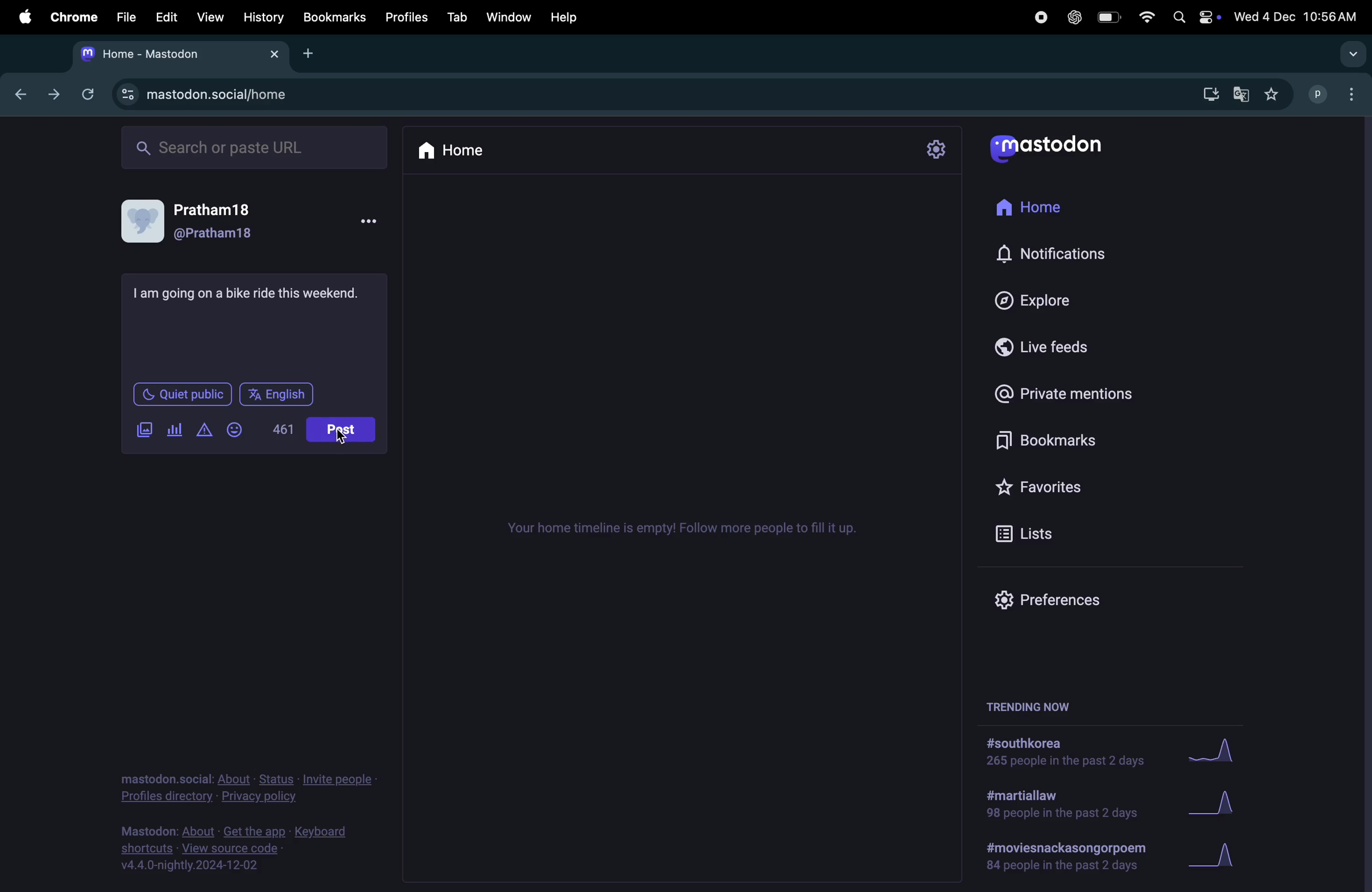 The image size is (1372, 892). I want to click on Live feeds, so click(1053, 345).